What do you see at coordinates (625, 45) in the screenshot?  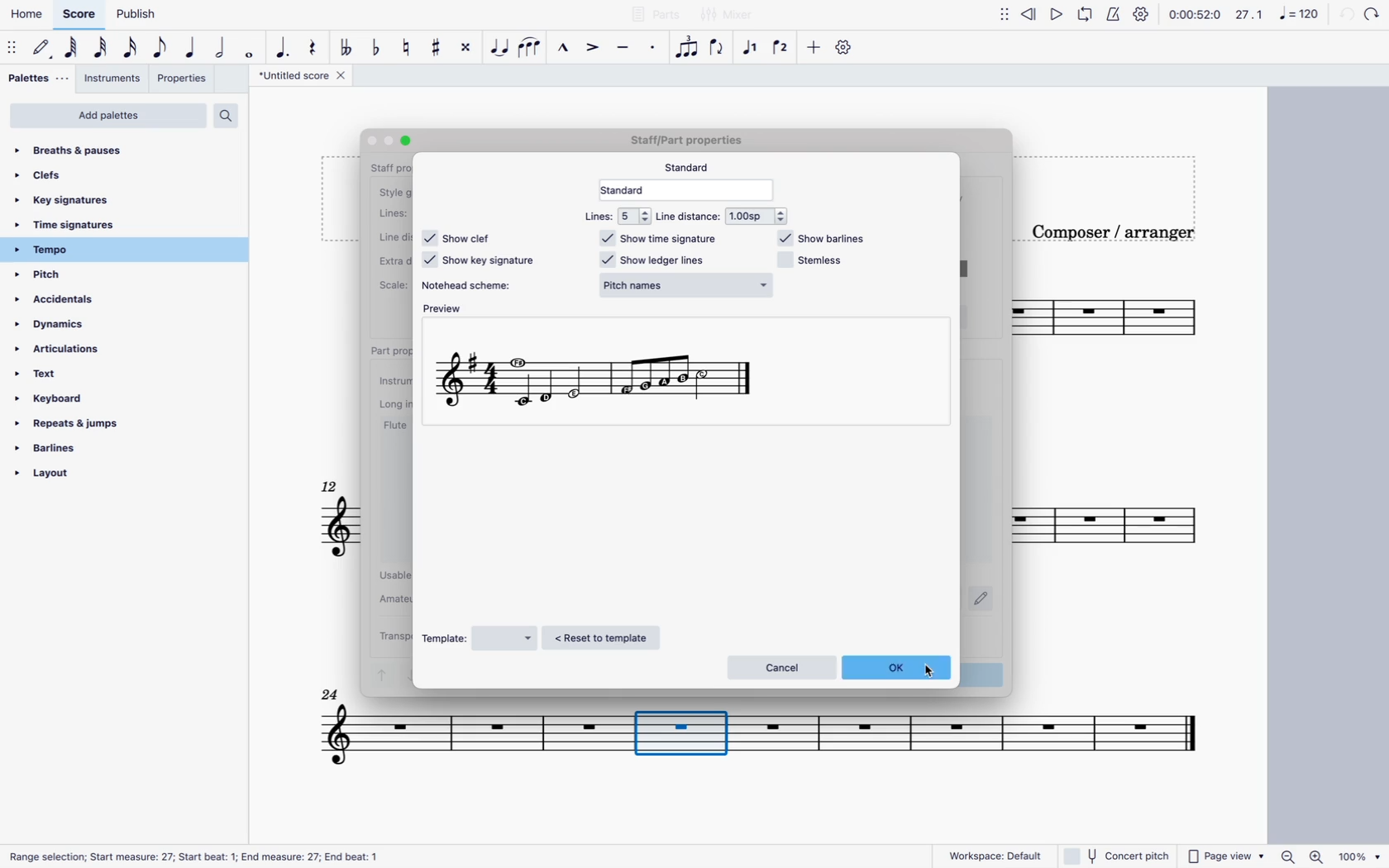 I see `tenuto` at bounding box center [625, 45].